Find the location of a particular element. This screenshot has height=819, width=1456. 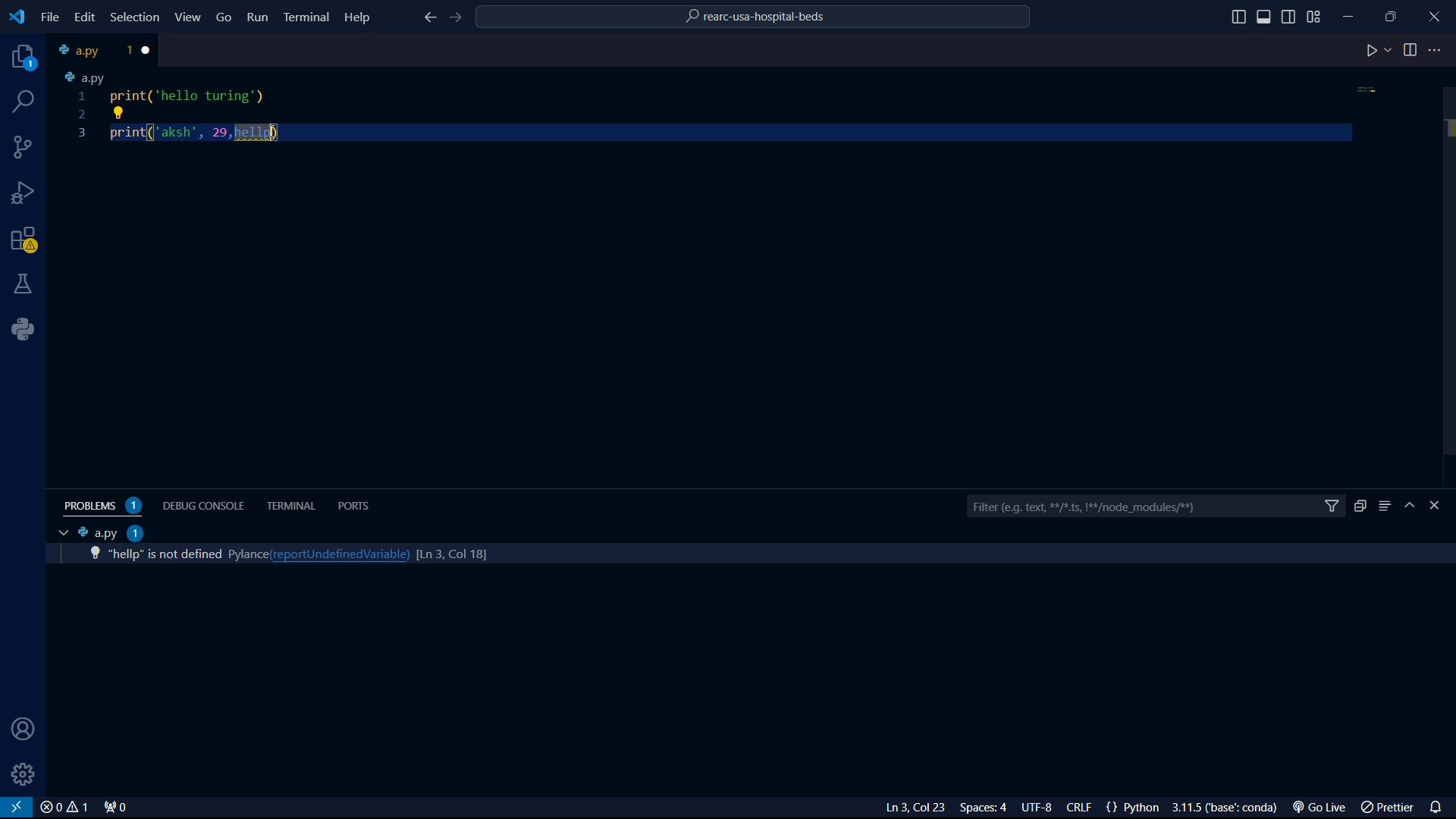

rearc-usa-hospital-beds is located at coordinates (755, 19).